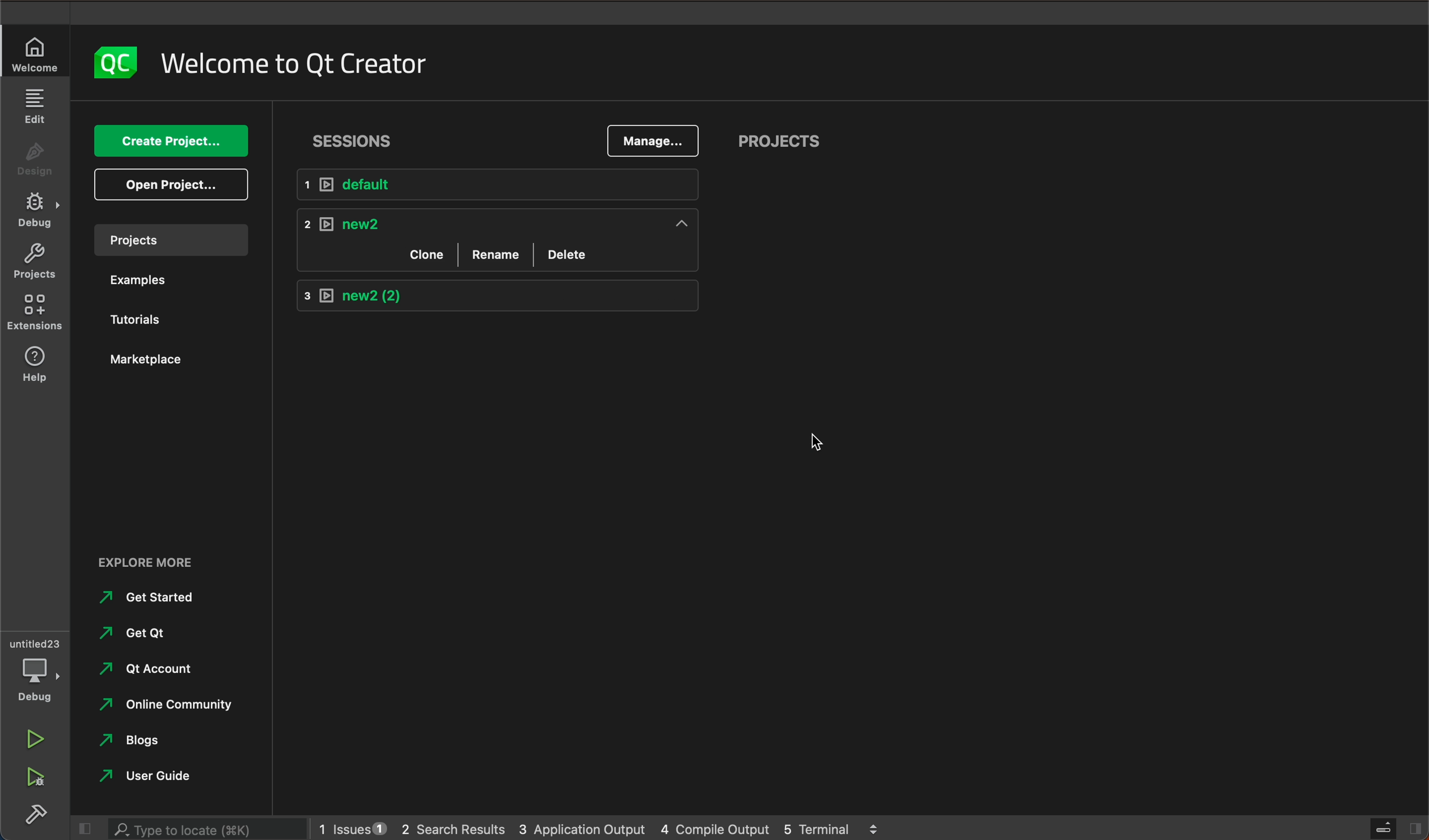 This screenshot has height=840, width=1429. What do you see at coordinates (353, 142) in the screenshot?
I see `sessions` at bounding box center [353, 142].